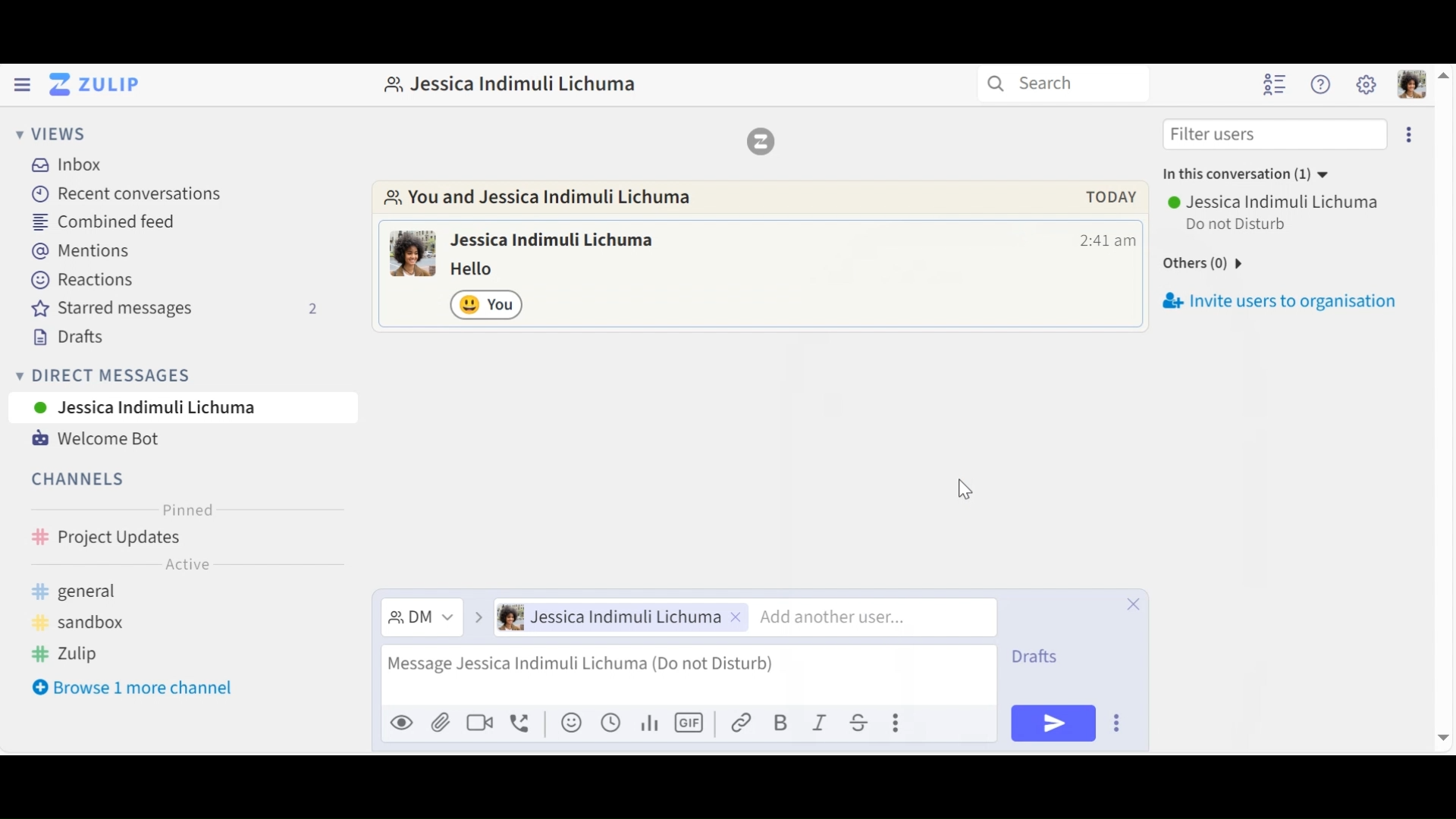 This screenshot has width=1456, height=819. What do you see at coordinates (861, 722) in the screenshot?
I see `Strikethrough` at bounding box center [861, 722].